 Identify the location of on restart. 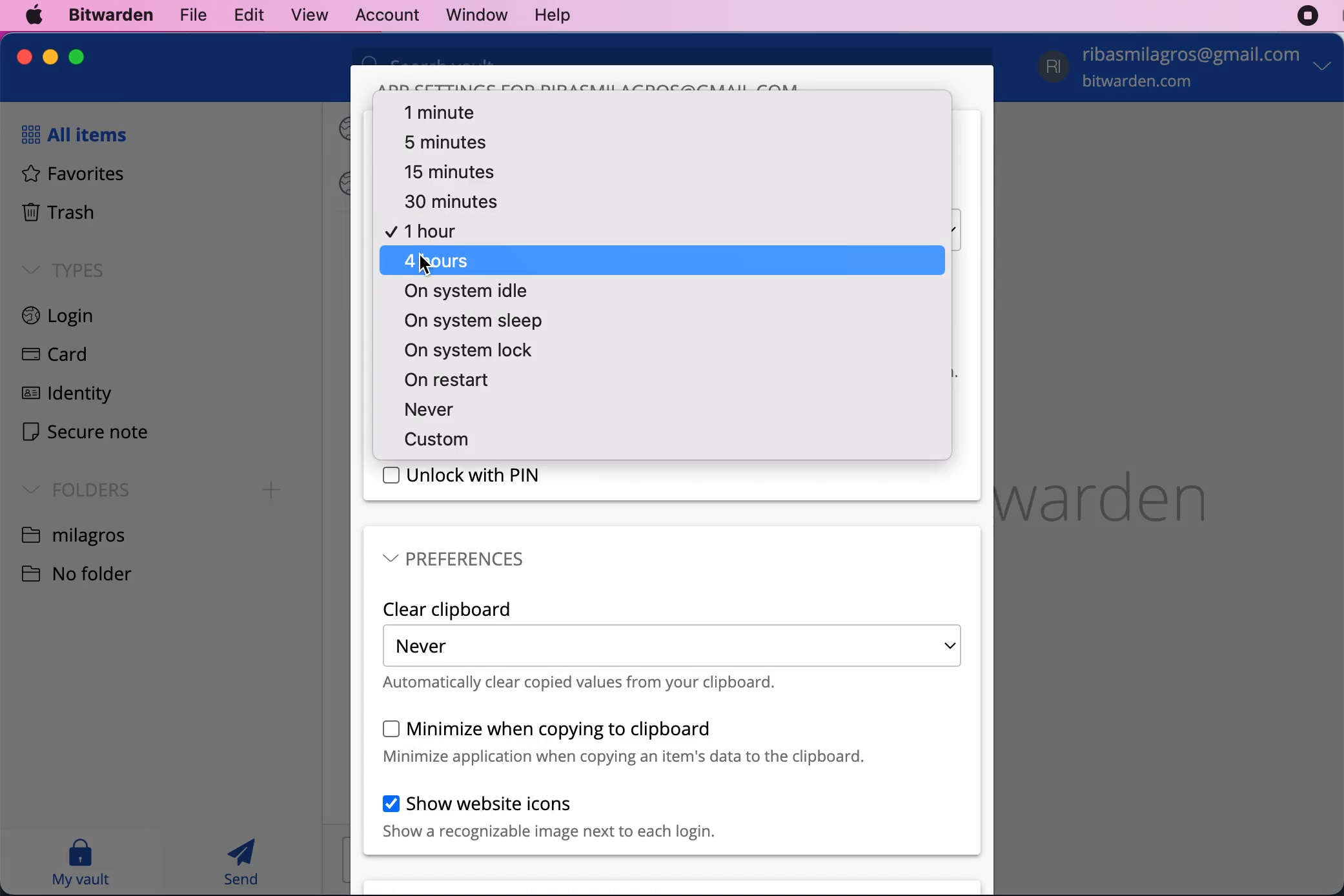
(452, 380).